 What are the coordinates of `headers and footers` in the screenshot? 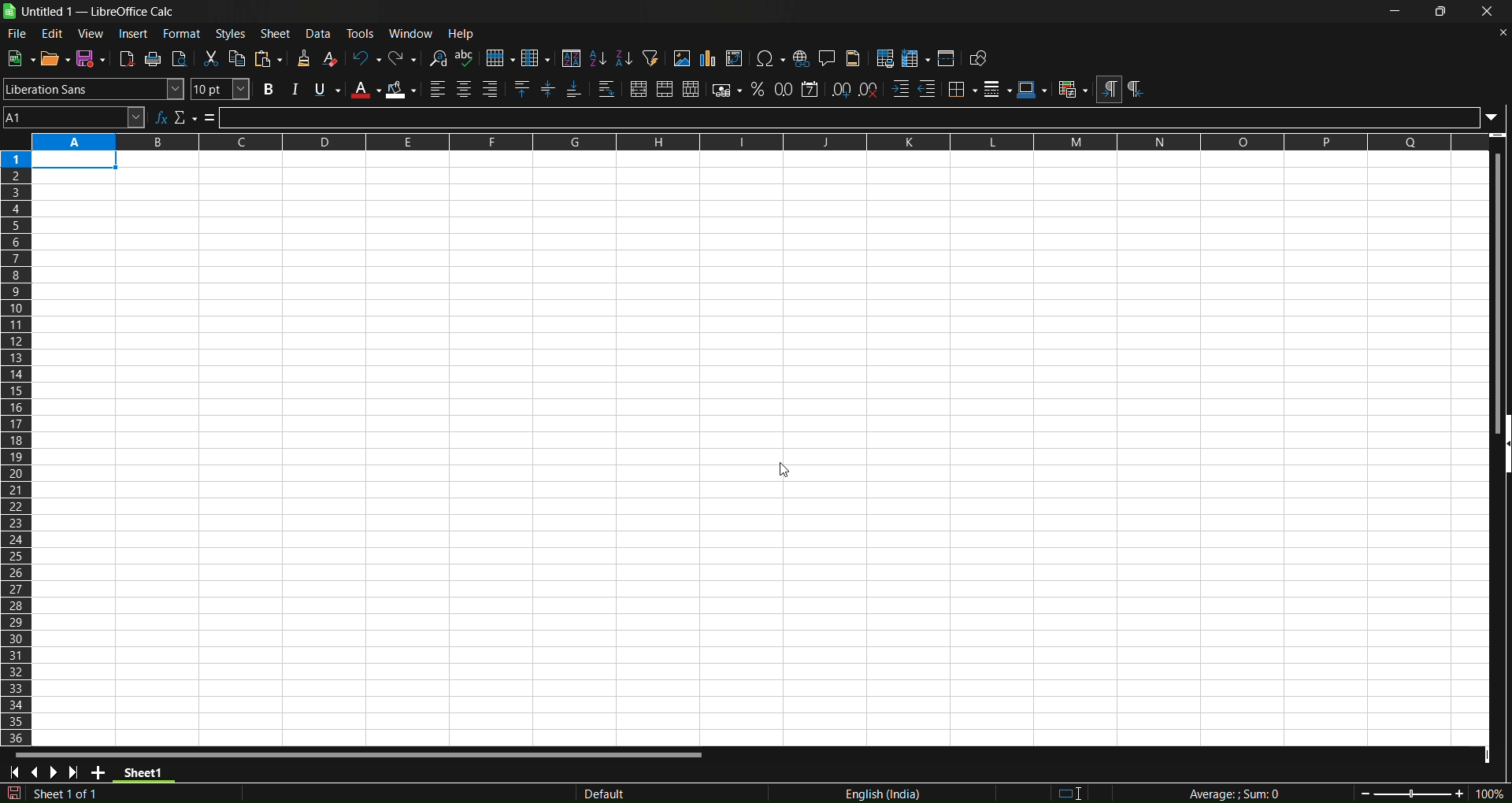 It's located at (855, 58).